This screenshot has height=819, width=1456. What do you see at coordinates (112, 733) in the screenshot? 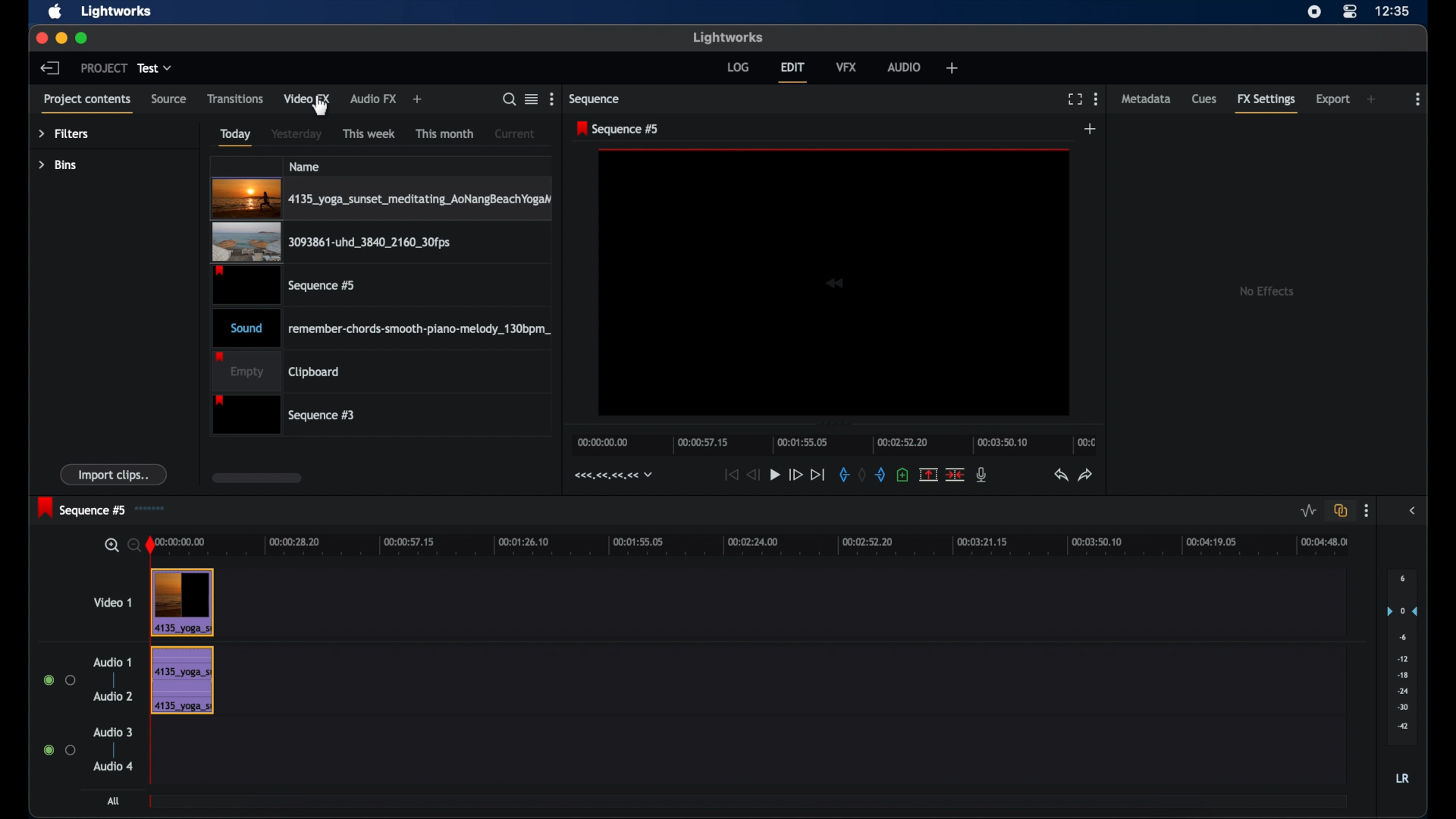
I see `audio 3` at bounding box center [112, 733].